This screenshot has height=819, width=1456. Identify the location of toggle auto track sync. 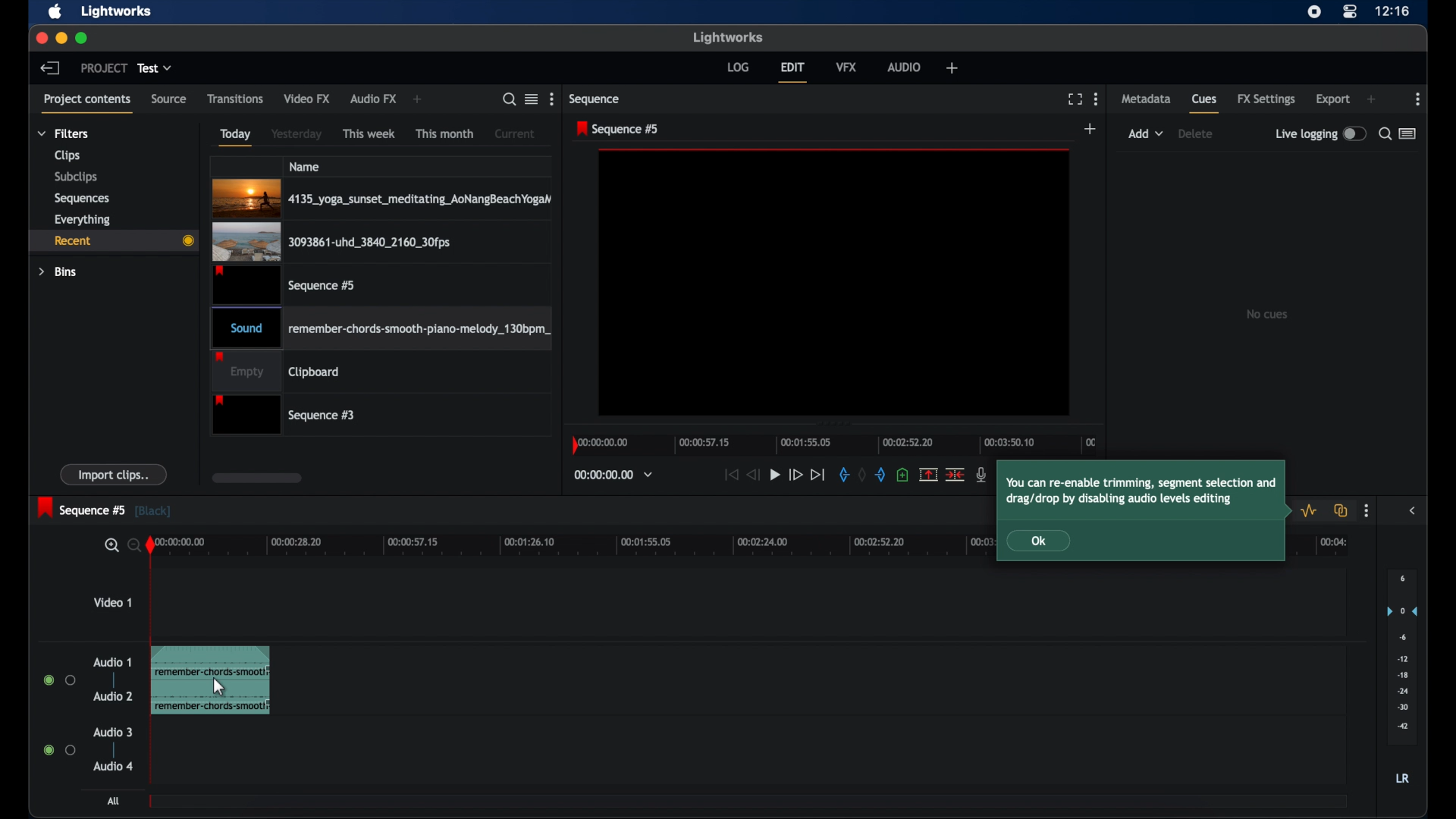
(1341, 510).